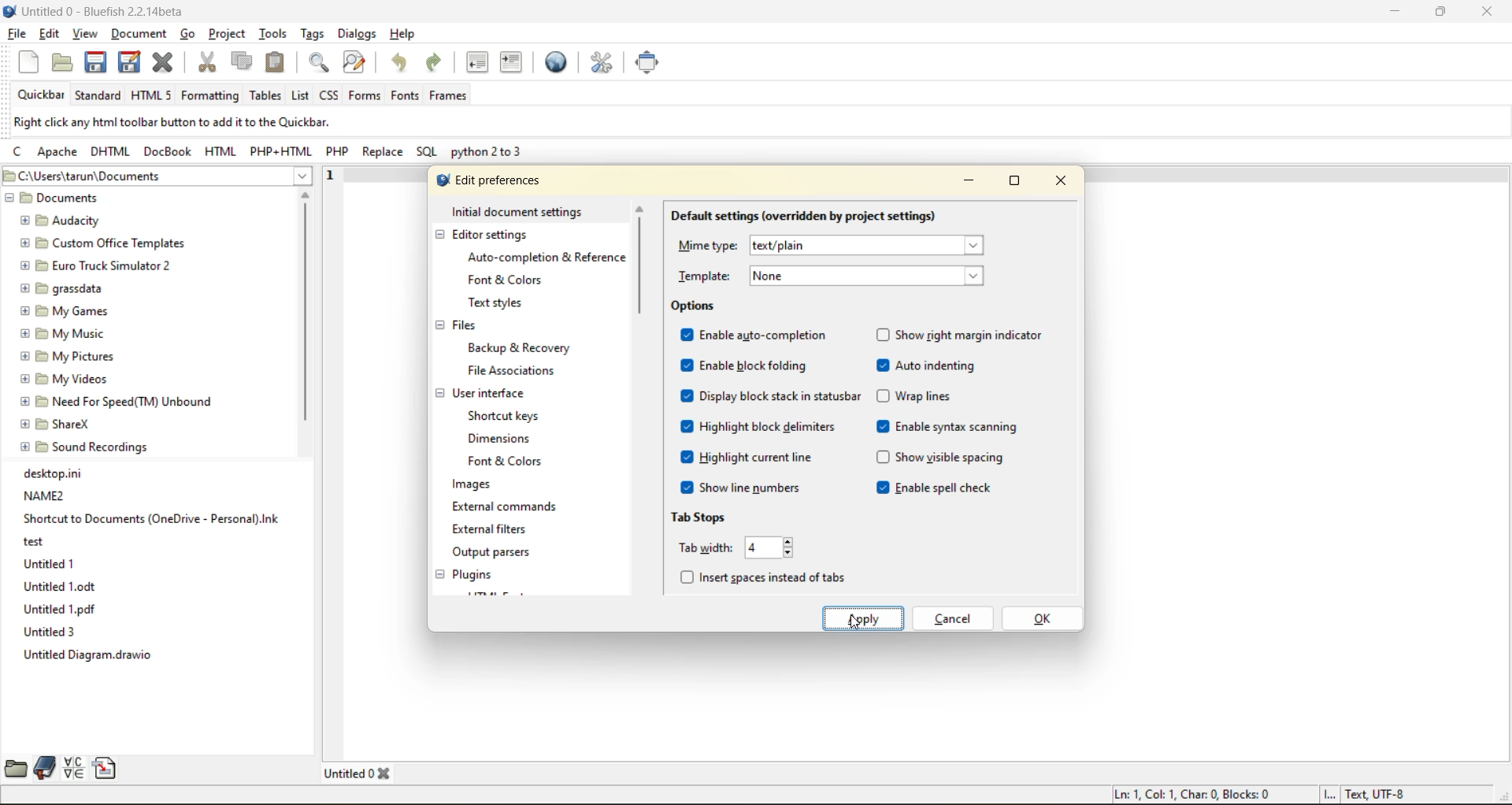 The width and height of the screenshot is (1512, 805). I want to click on auto completion and reference, so click(541, 258).